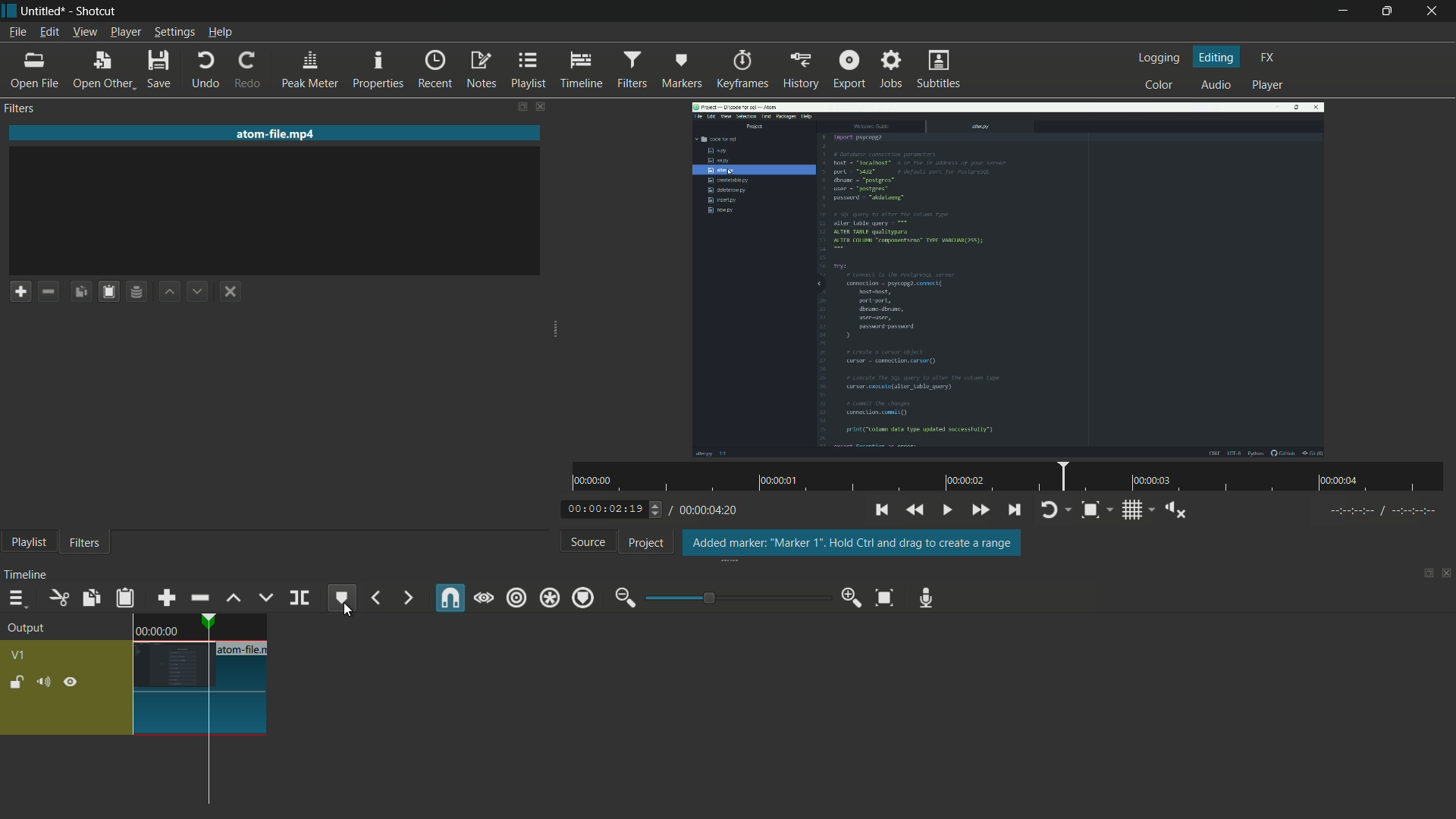 The width and height of the screenshot is (1456, 819). What do you see at coordinates (1178, 510) in the screenshot?
I see `show volume control` at bounding box center [1178, 510].